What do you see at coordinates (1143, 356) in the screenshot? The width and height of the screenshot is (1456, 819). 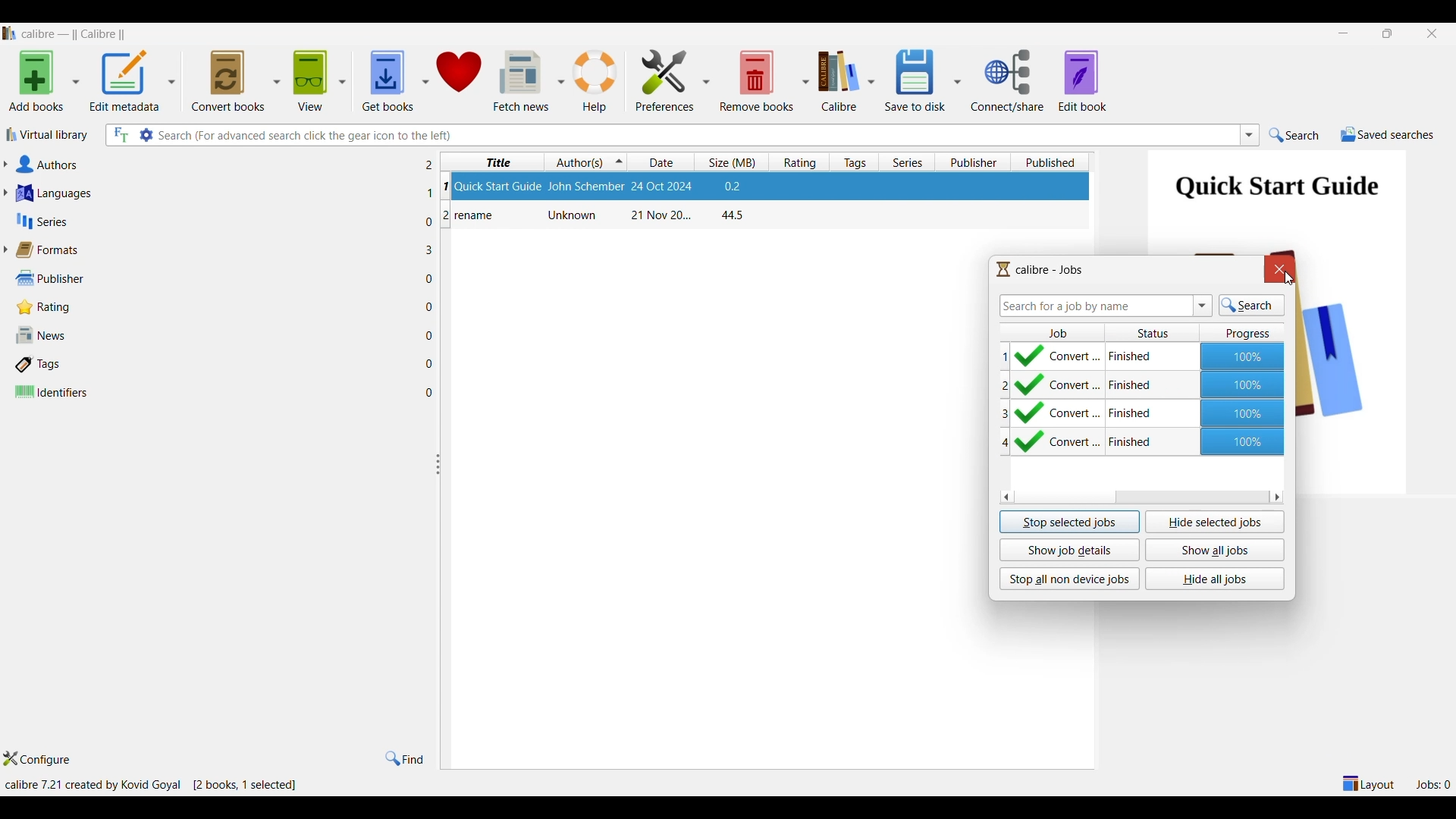 I see `Current conversion completed` at bounding box center [1143, 356].